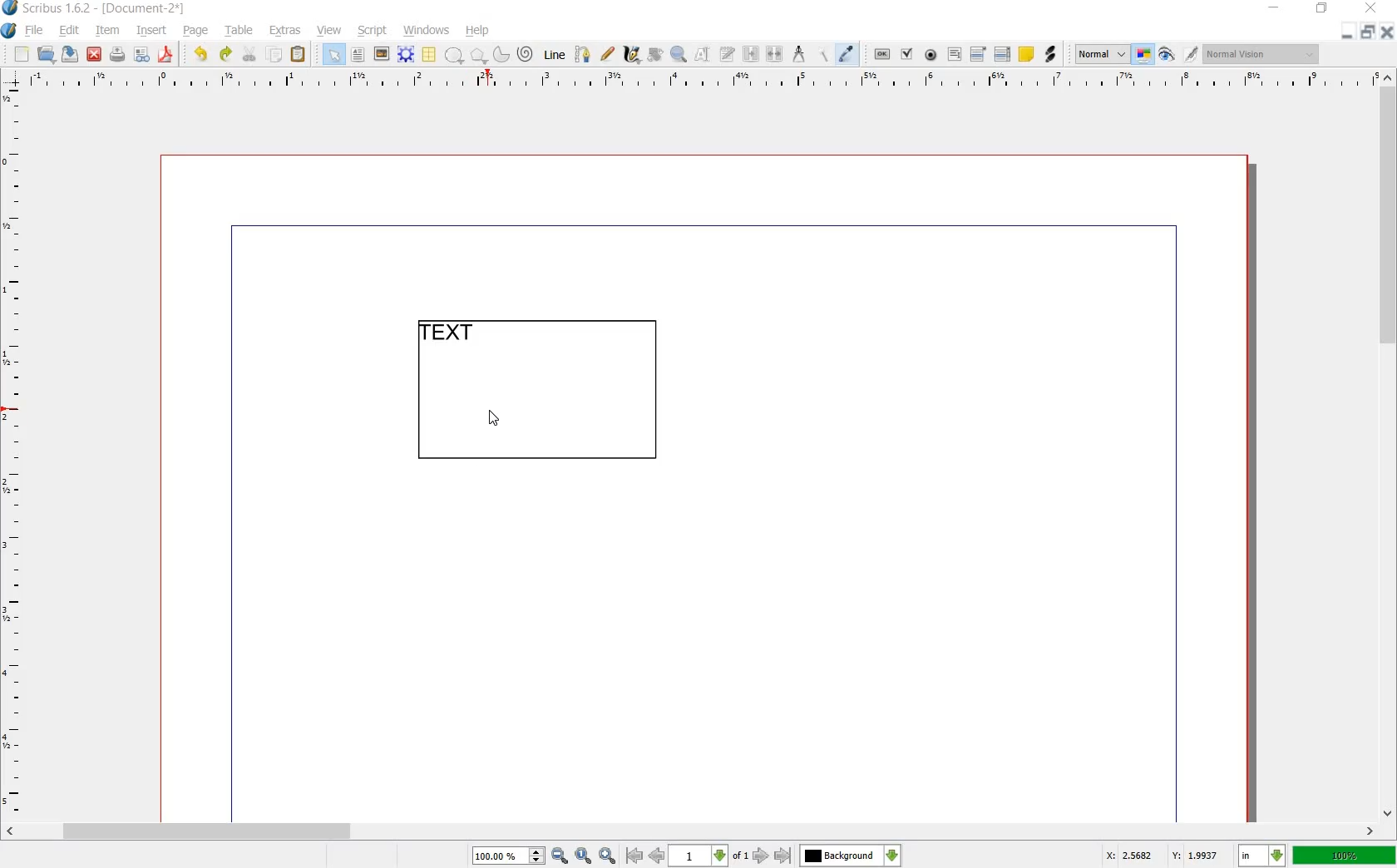 Image resolution: width=1397 pixels, height=868 pixels. Describe the element at coordinates (117, 55) in the screenshot. I see `print` at that location.